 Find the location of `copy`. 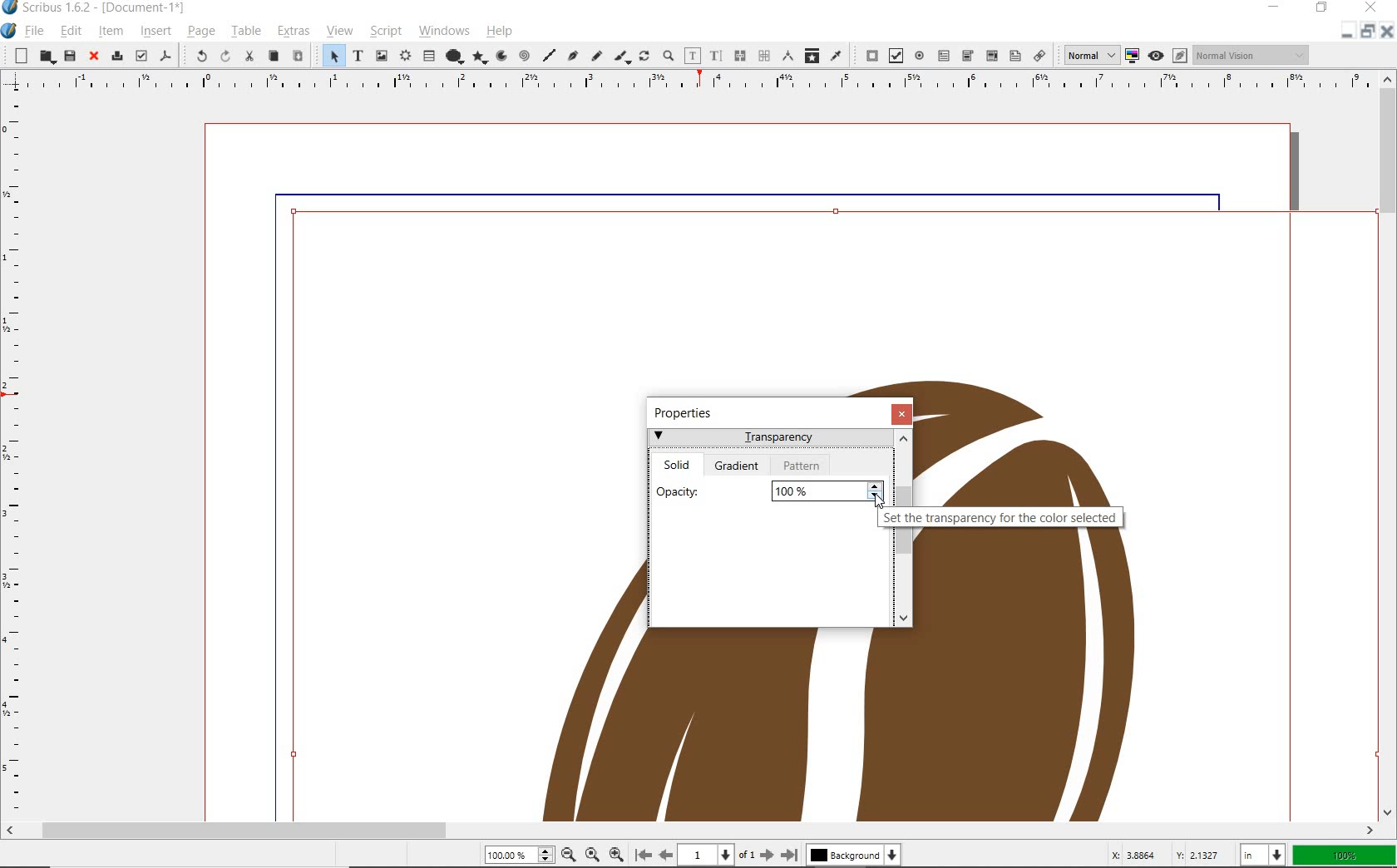

copy is located at coordinates (274, 56).